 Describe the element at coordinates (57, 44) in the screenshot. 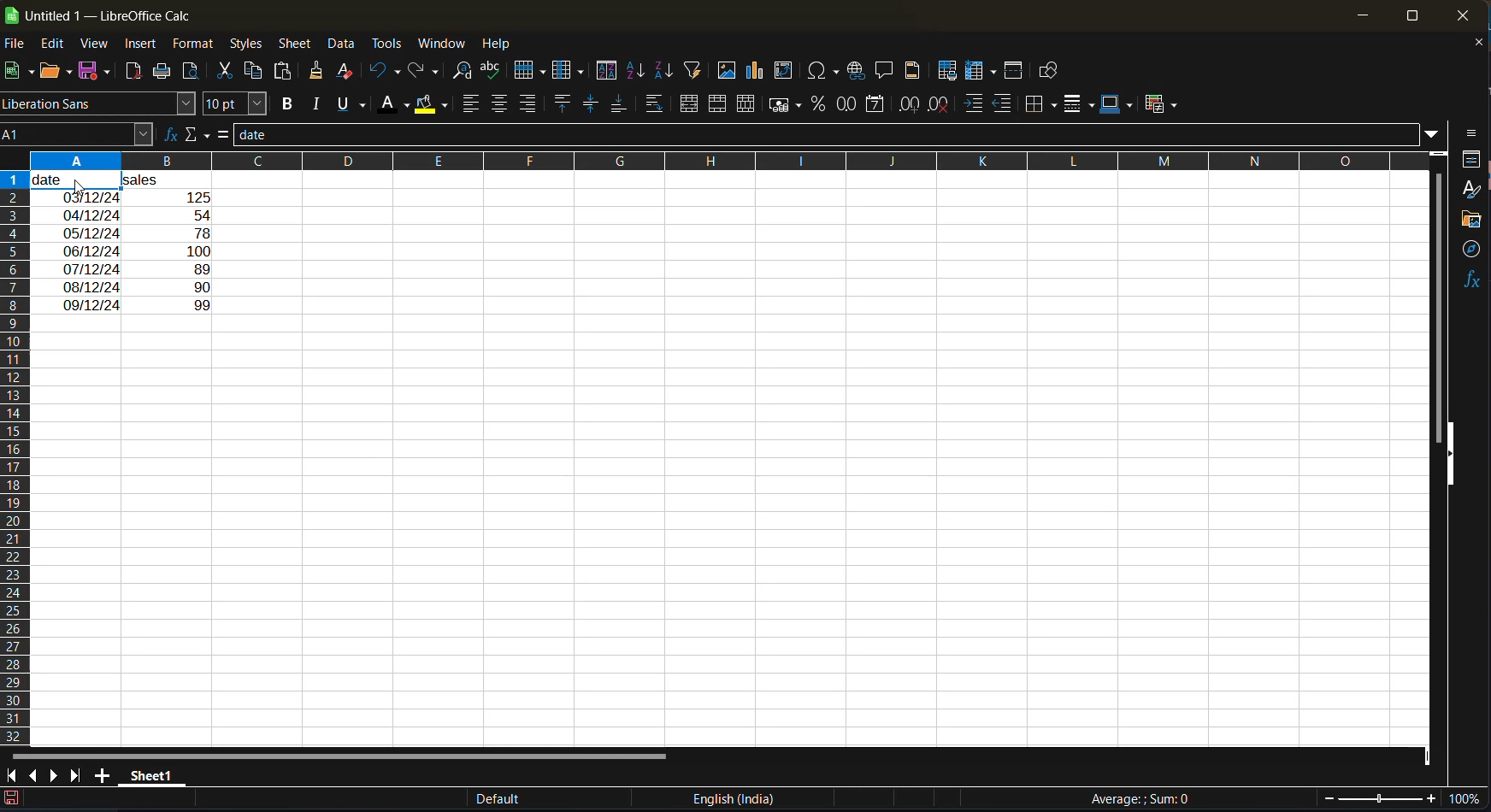

I see `edit` at that location.